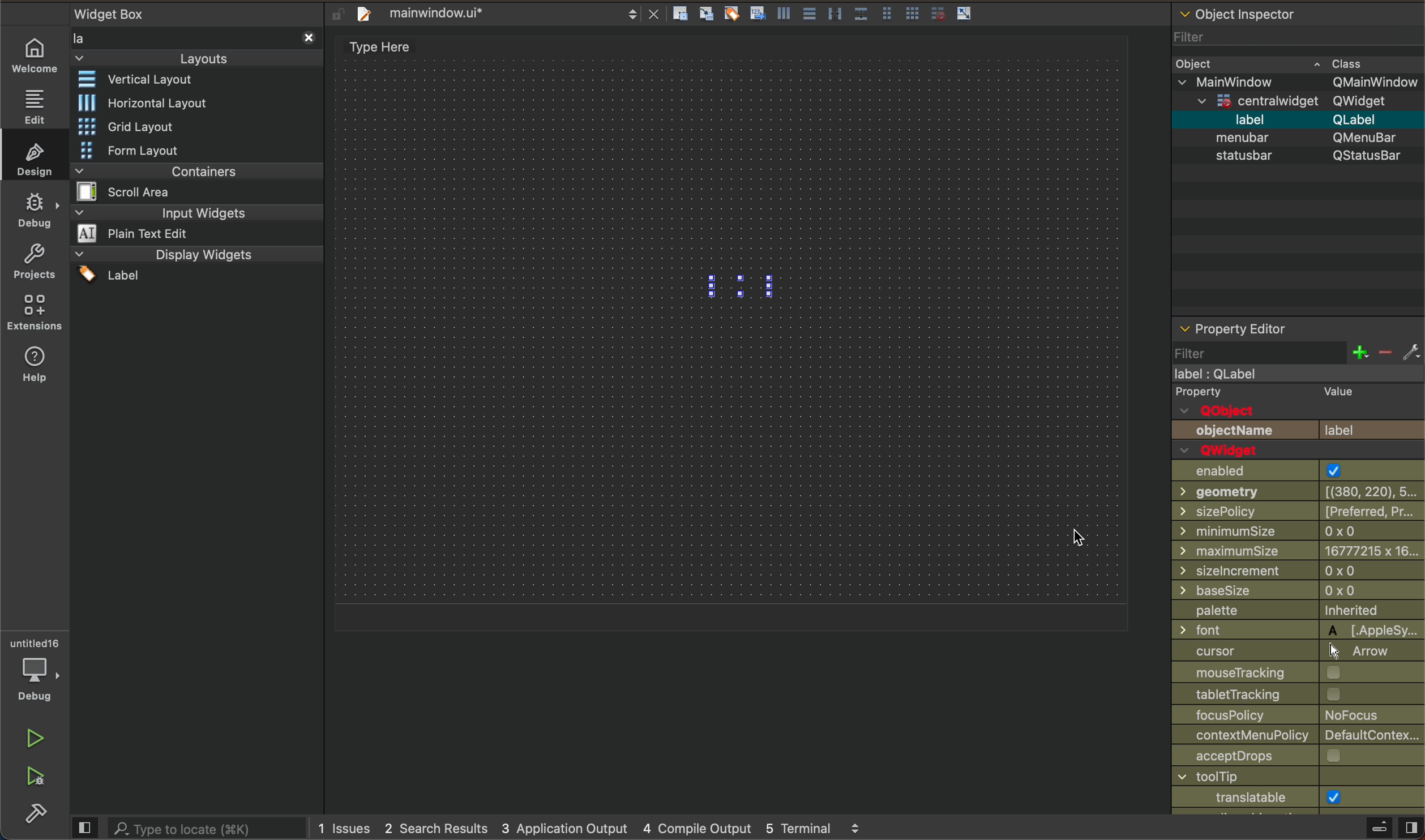  What do you see at coordinates (147, 80) in the screenshot?
I see `vertical layout` at bounding box center [147, 80].